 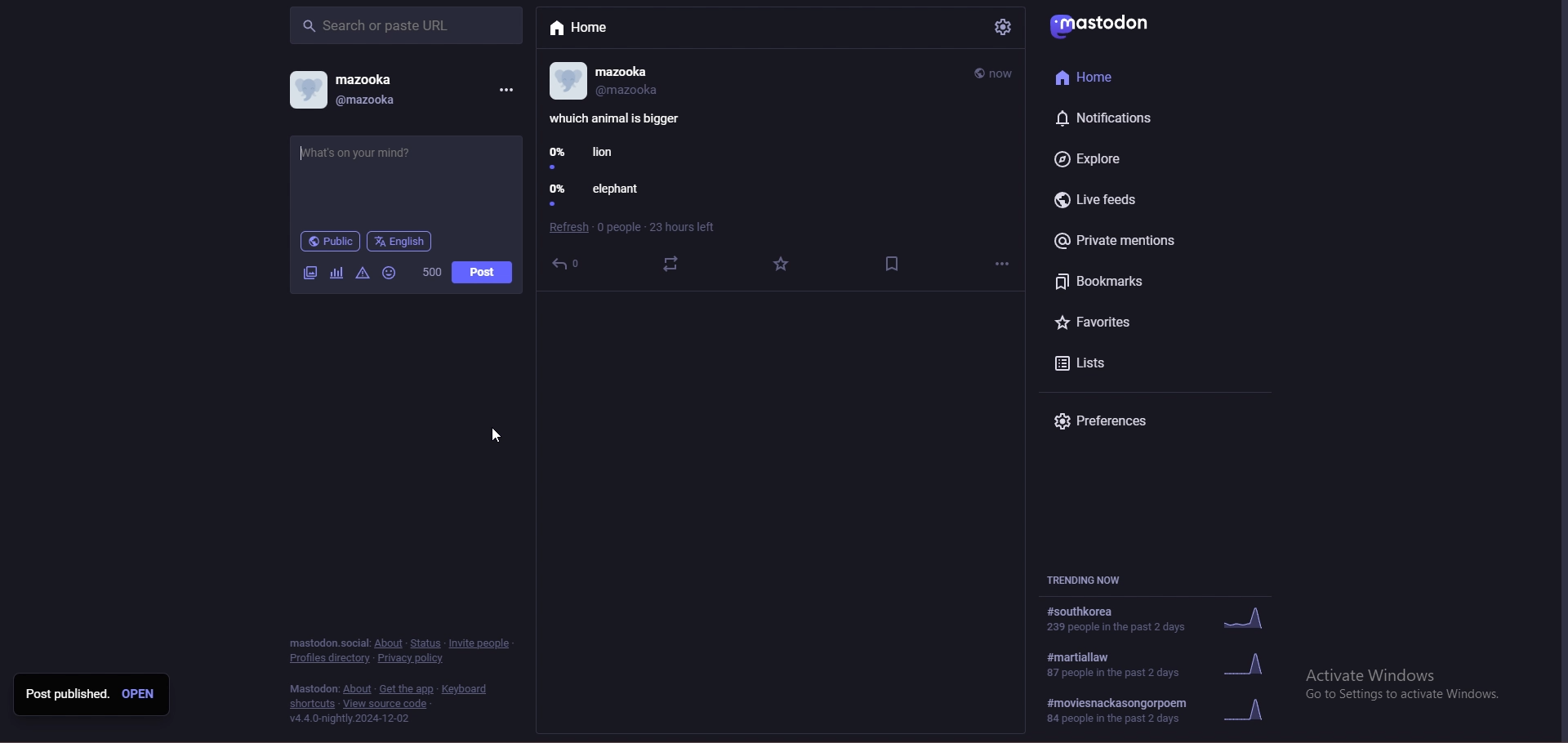 What do you see at coordinates (1128, 240) in the screenshot?
I see `private mentions` at bounding box center [1128, 240].